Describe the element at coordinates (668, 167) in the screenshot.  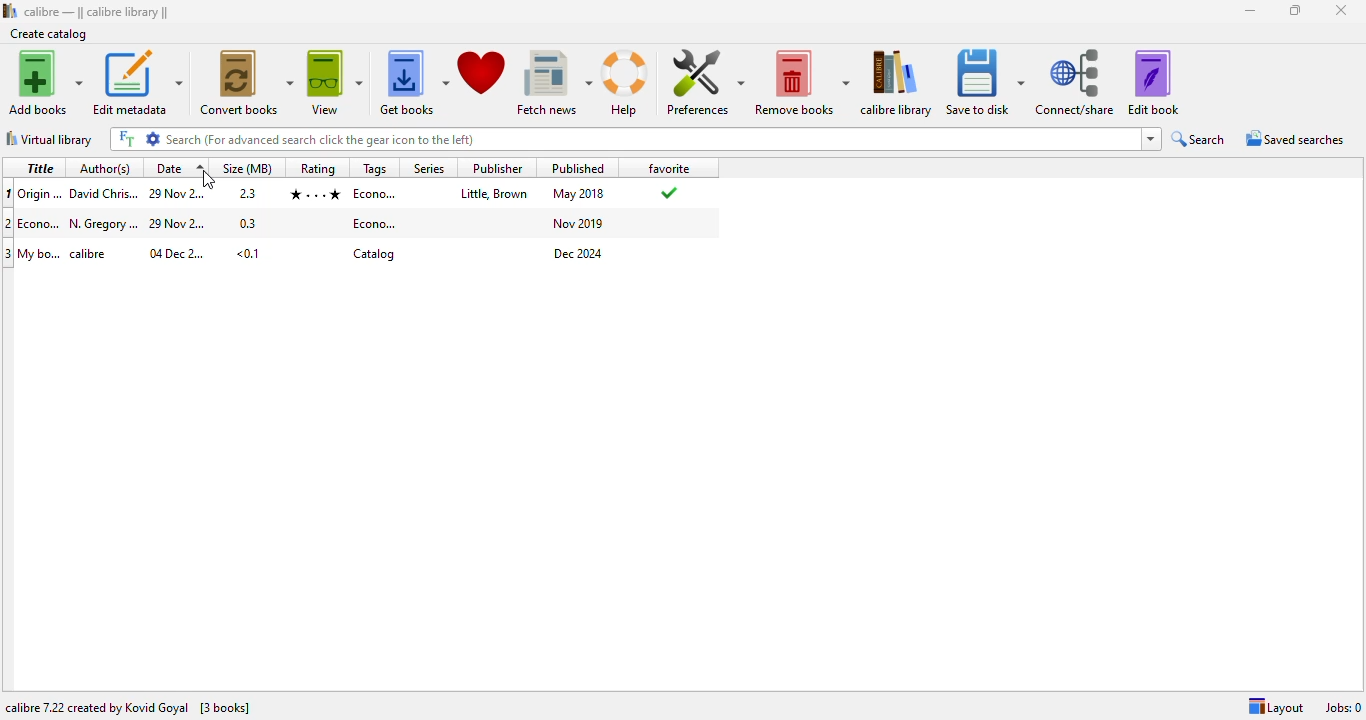
I see `favorite` at that location.